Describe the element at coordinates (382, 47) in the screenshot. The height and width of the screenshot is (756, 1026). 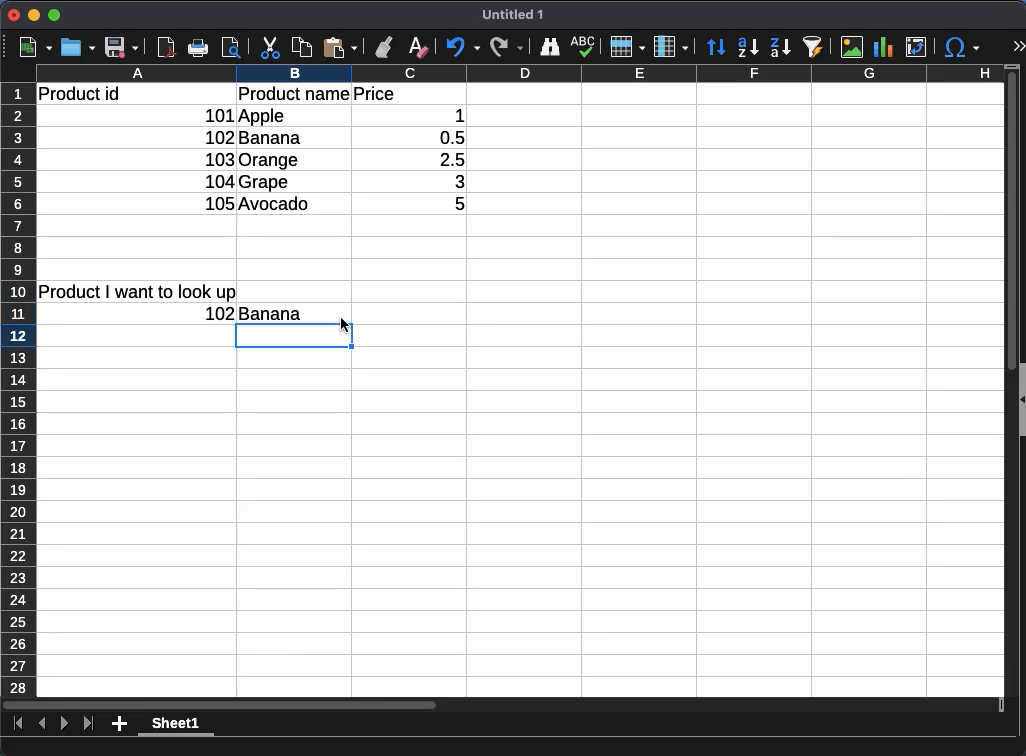
I see `clone formatting` at that location.